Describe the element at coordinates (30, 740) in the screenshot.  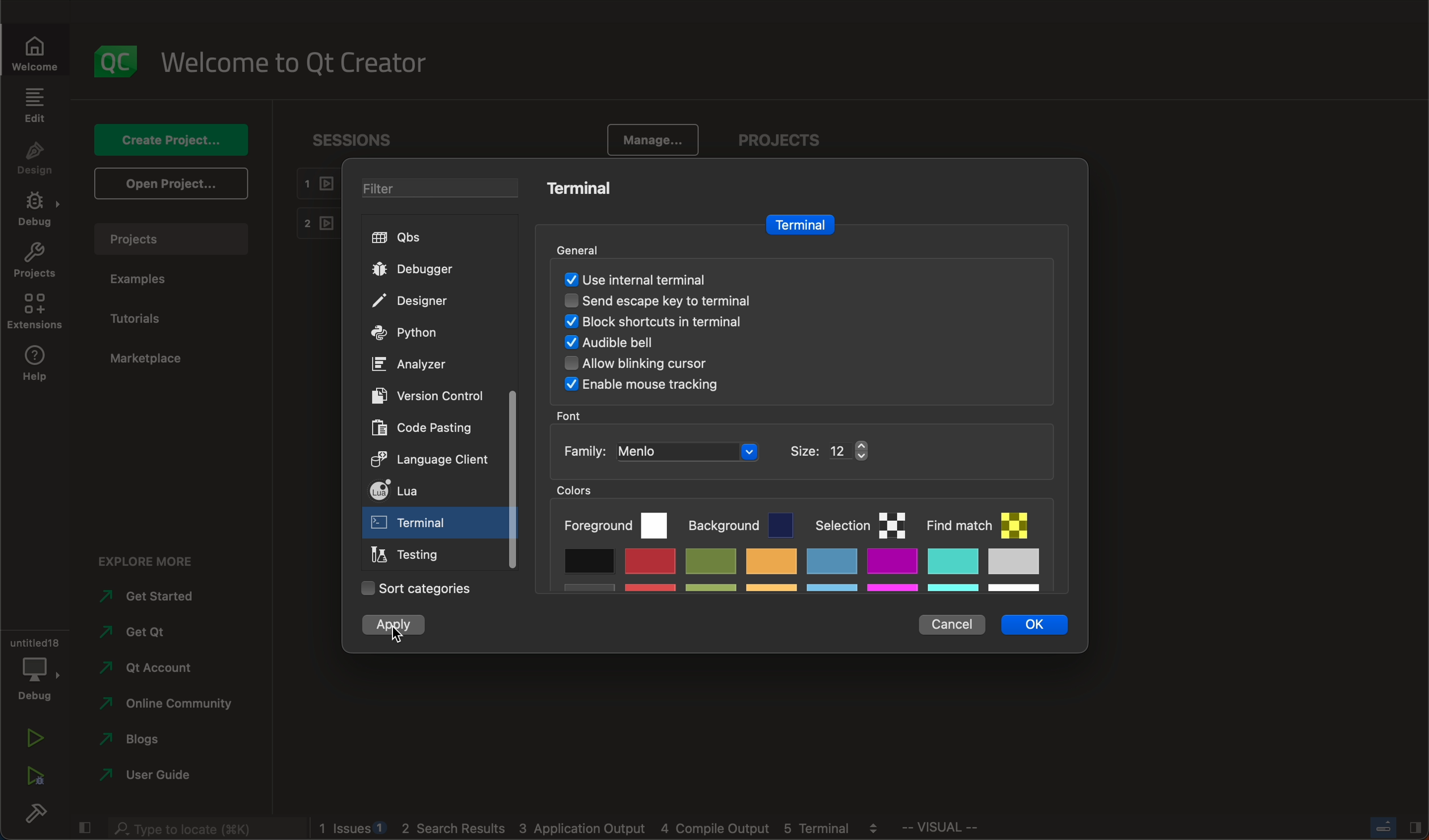
I see `run` at that location.